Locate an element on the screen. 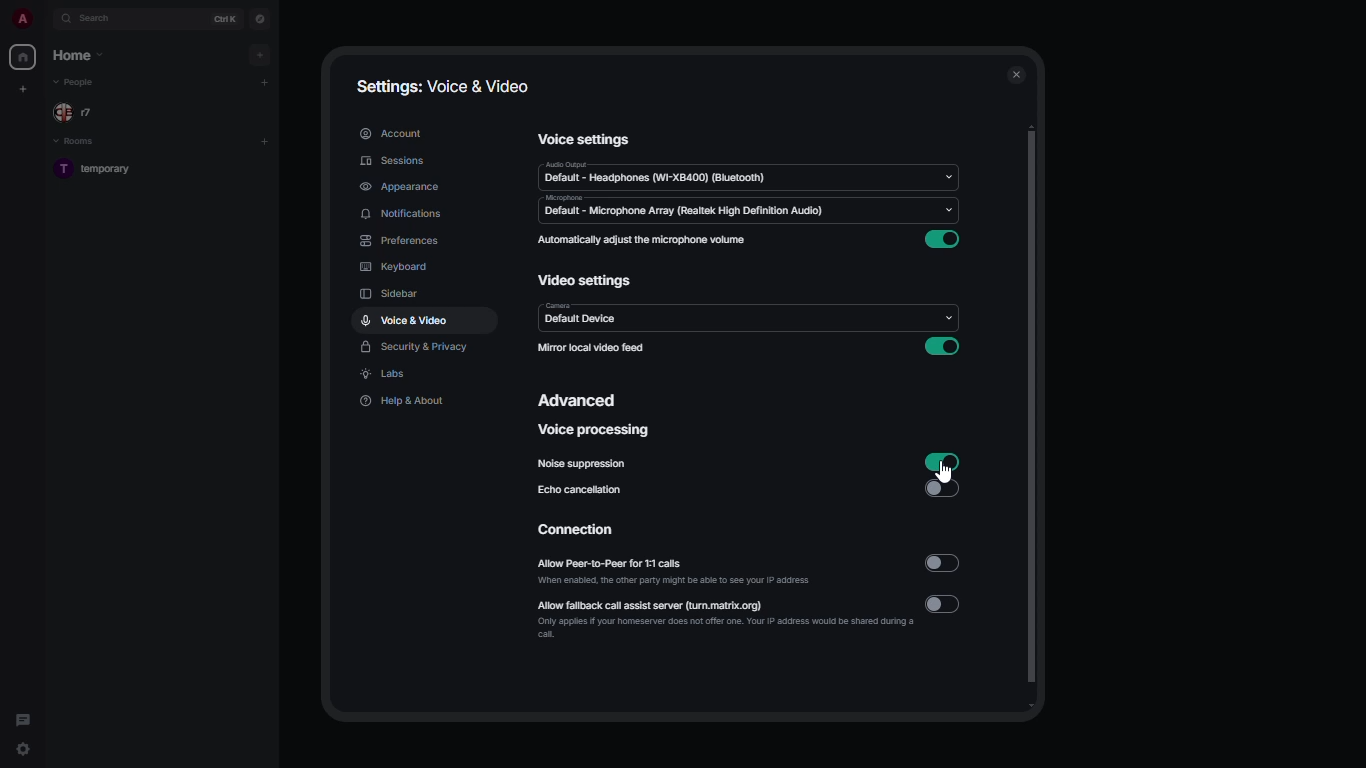 This screenshot has height=768, width=1366. connection is located at coordinates (574, 529).